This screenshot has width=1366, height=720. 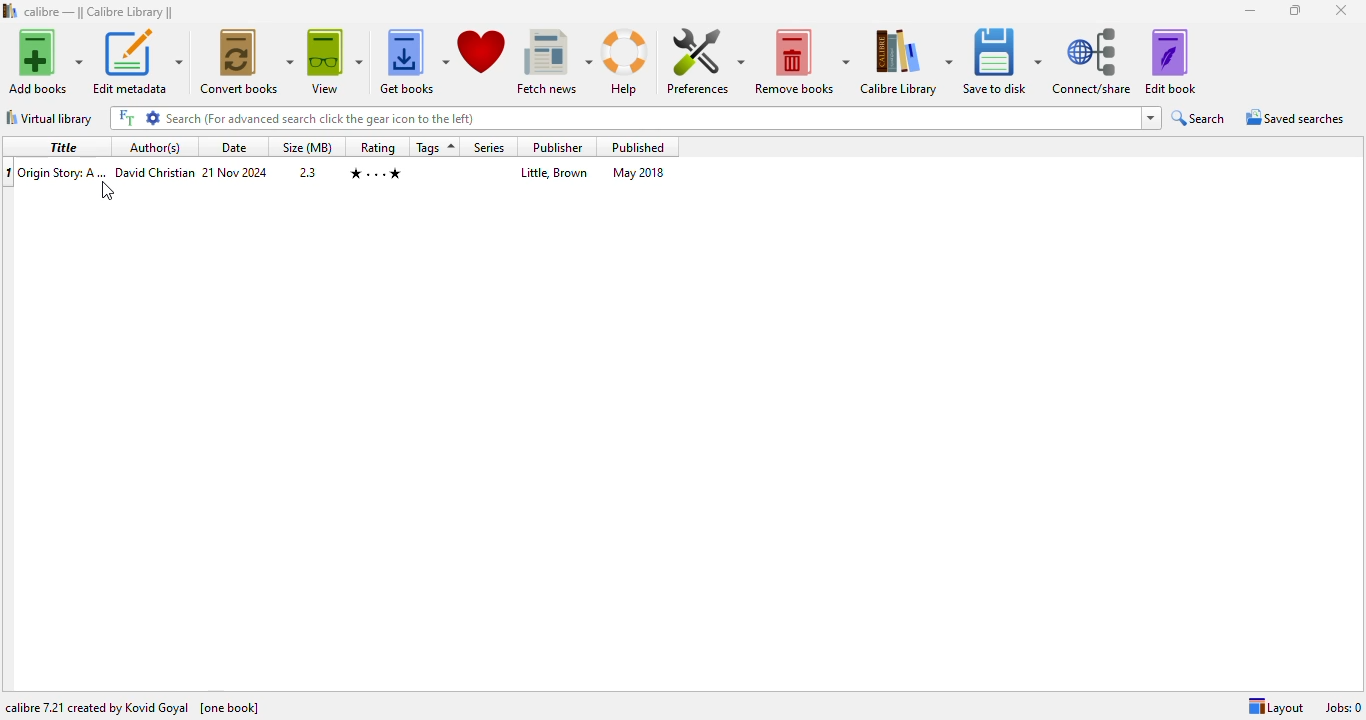 I want to click on author(s), so click(x=154, y=147).